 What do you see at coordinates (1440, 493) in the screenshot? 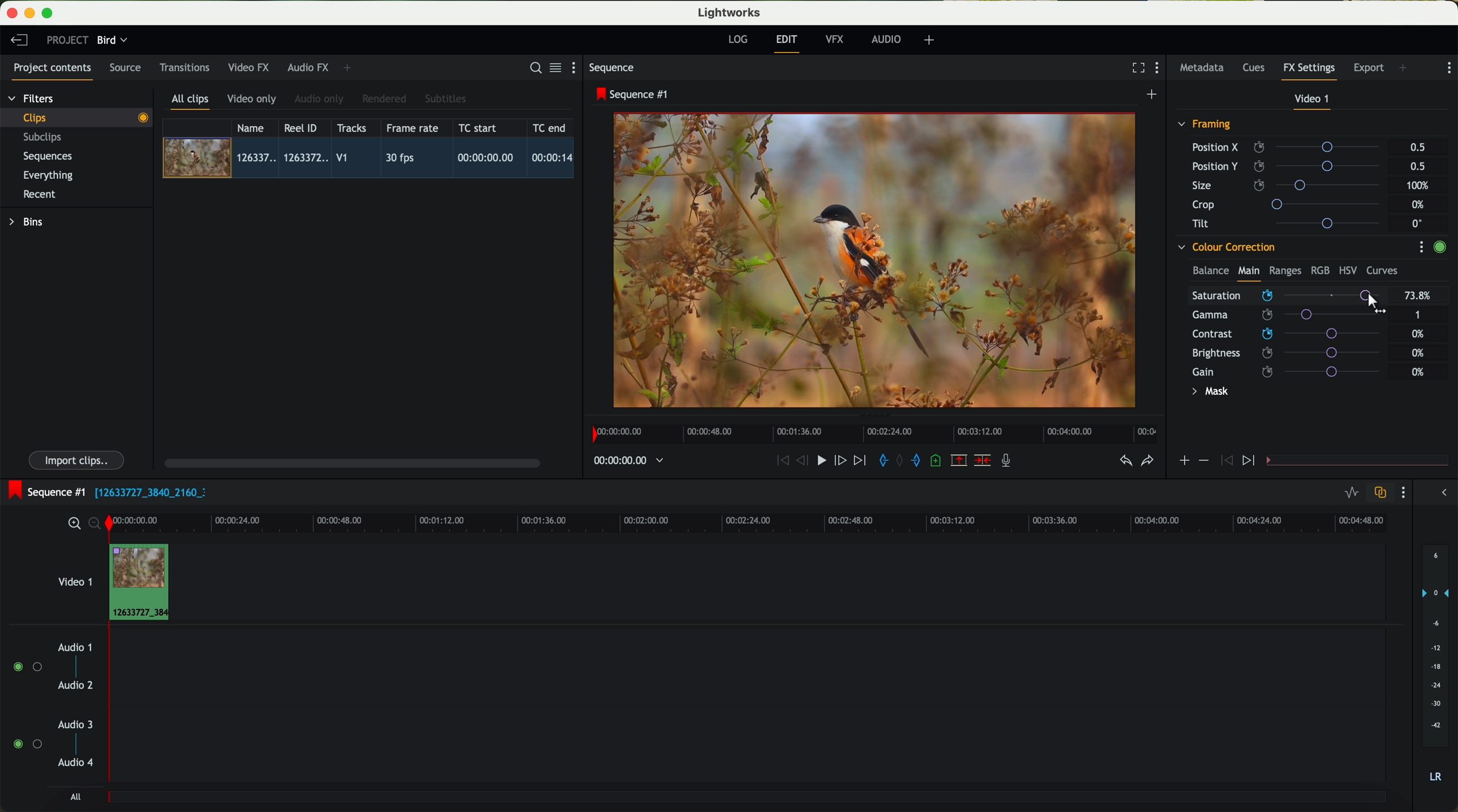
I see `show/hide the full audio mix` at bounding box center [1440, 493].